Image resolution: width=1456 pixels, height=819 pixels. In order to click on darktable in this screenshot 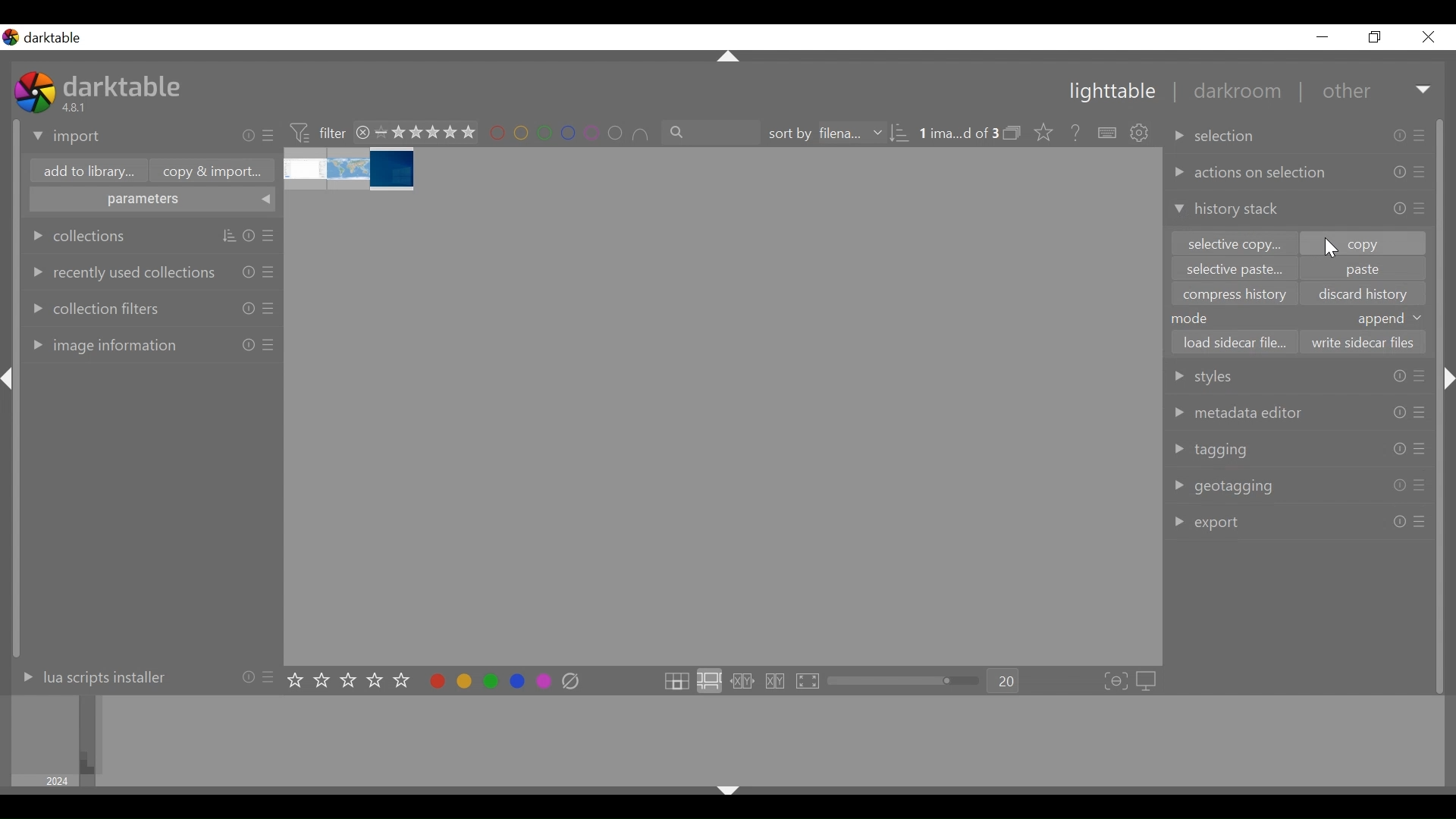, I will do `click(125, 85)`.